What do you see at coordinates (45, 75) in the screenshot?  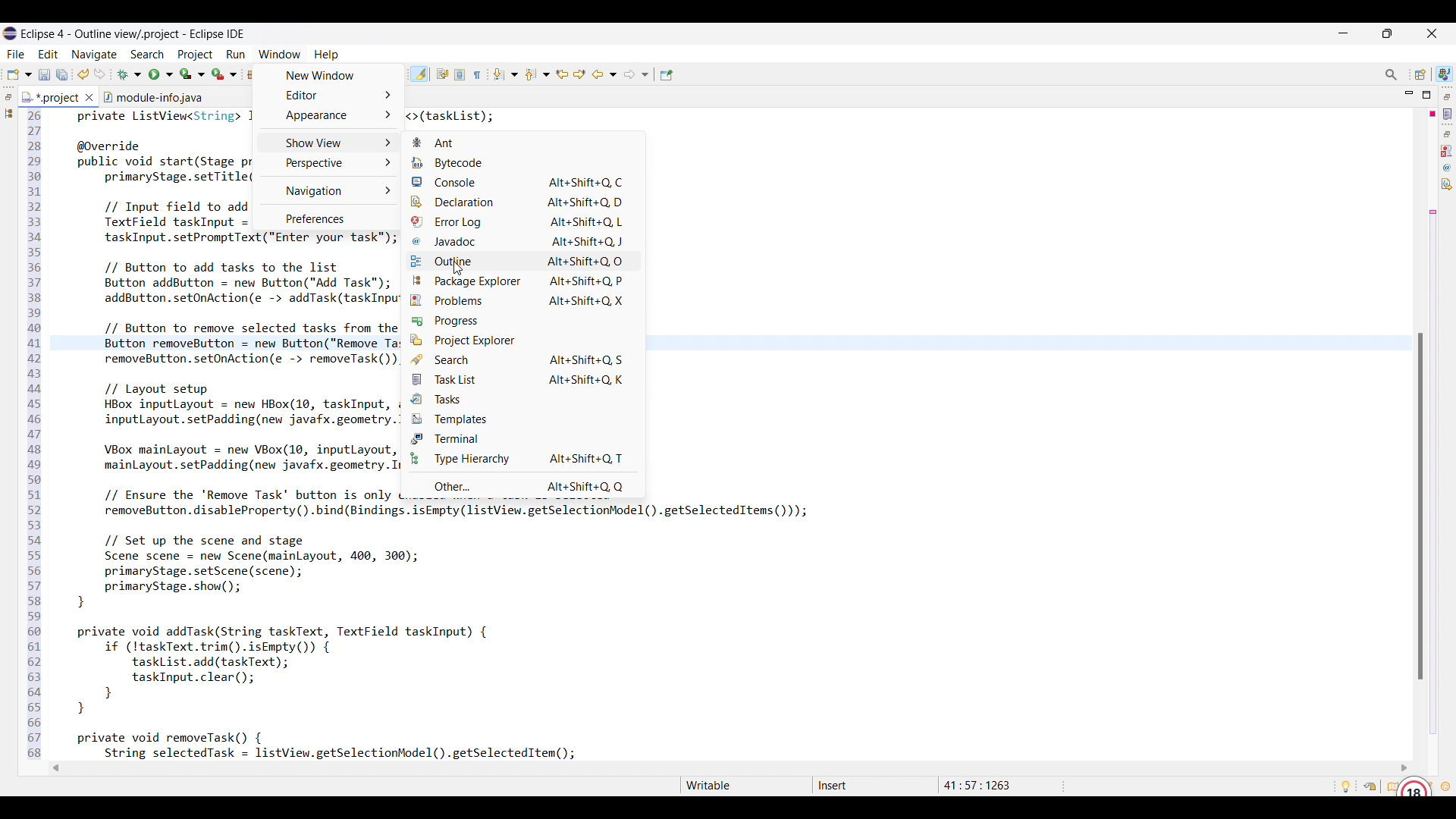 I see `Save` at bounding box center [45, 75].